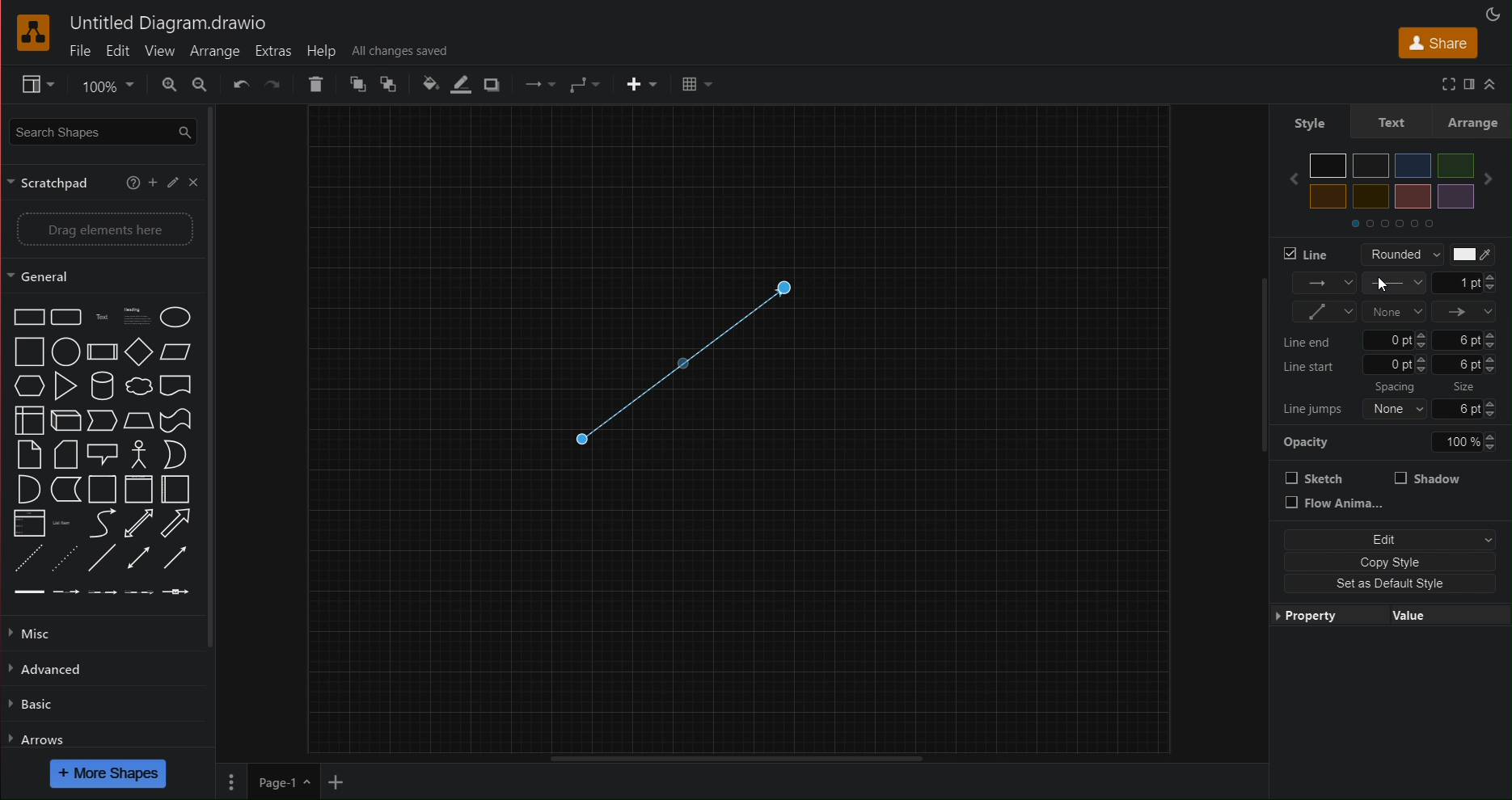 The image size is (1512, 800). Describe the element at coordinates (1308, 122) in the screenshot. I see `Style` at that location.